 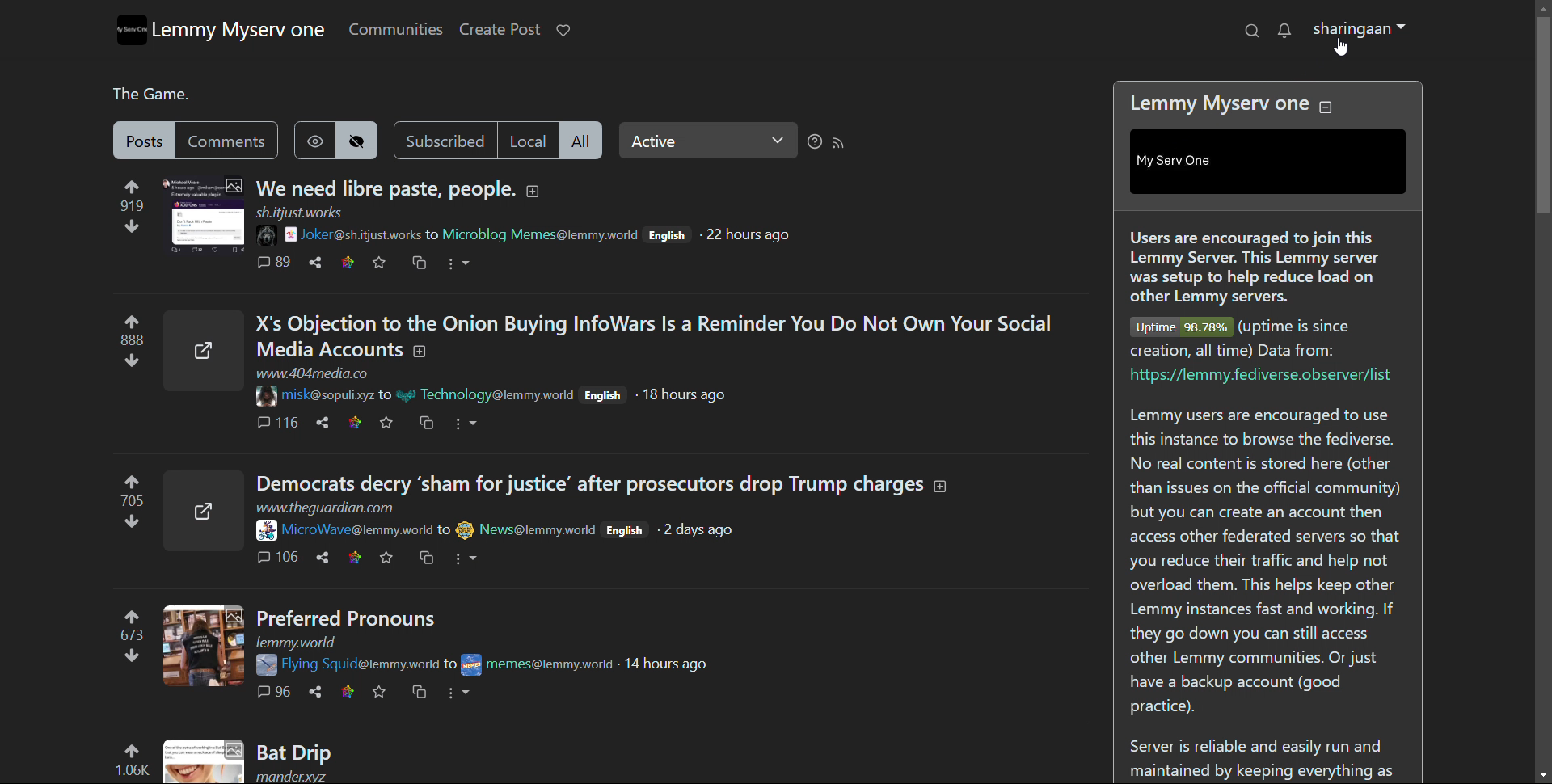 What do you see at coordinates (446, 663) in the screenshot?
I see `to` at bounding box center [446, 663].